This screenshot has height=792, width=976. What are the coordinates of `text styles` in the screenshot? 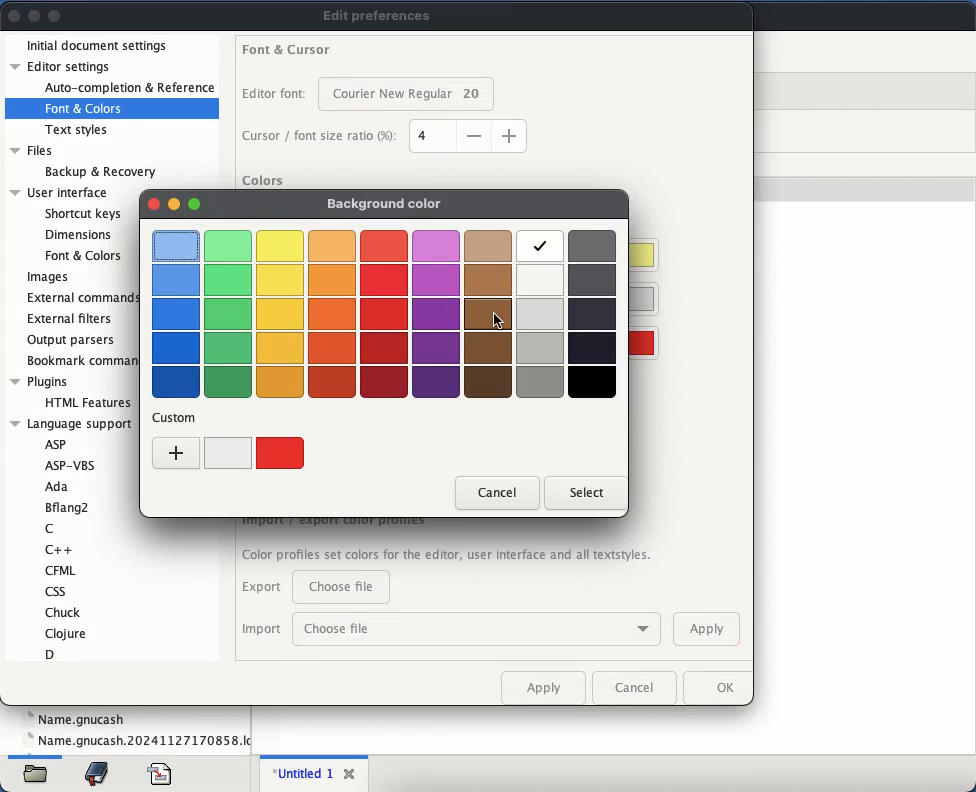 It's located at (79, 131).